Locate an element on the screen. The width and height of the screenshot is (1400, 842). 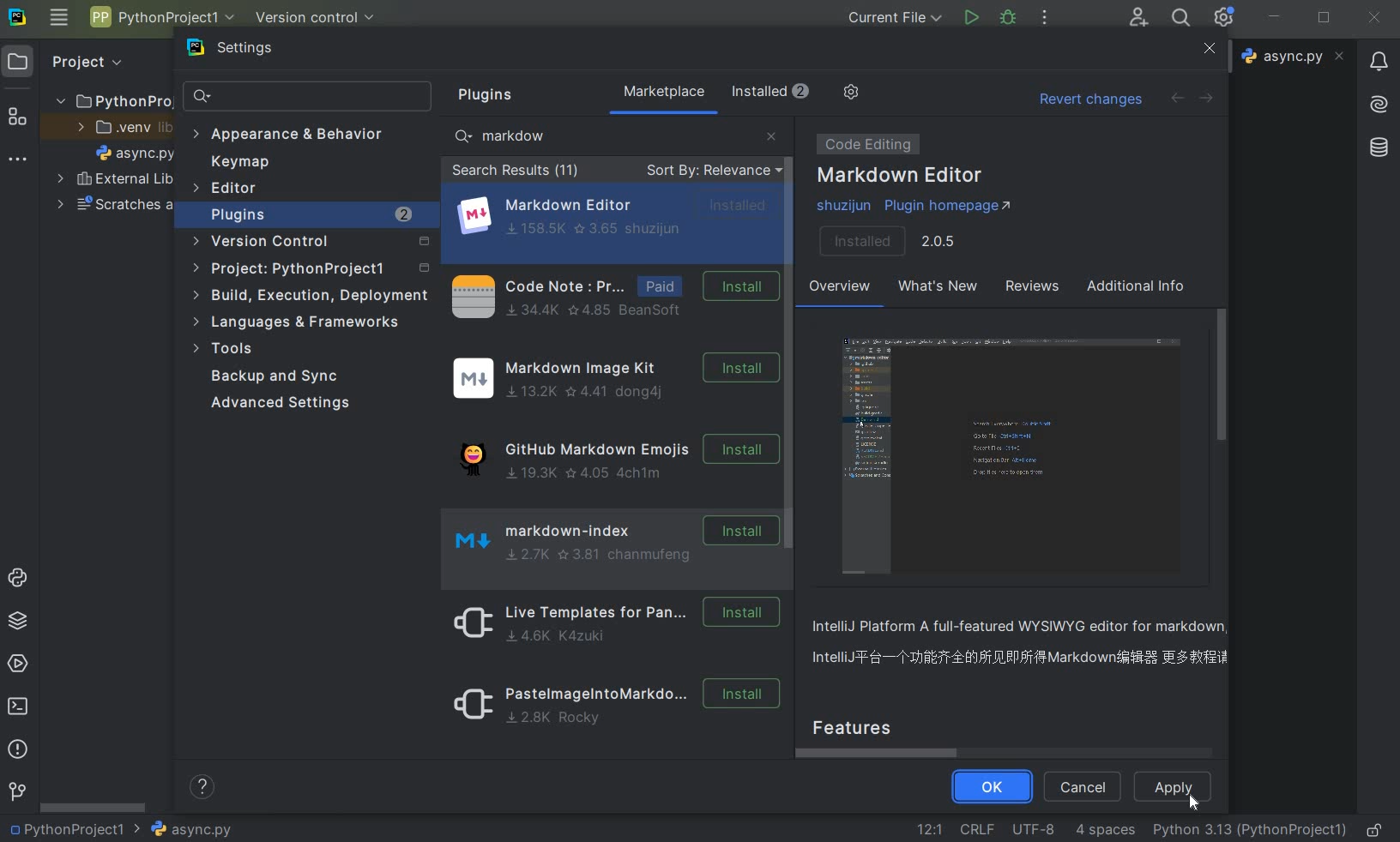
minimize is located at coordinates (1276, 18).